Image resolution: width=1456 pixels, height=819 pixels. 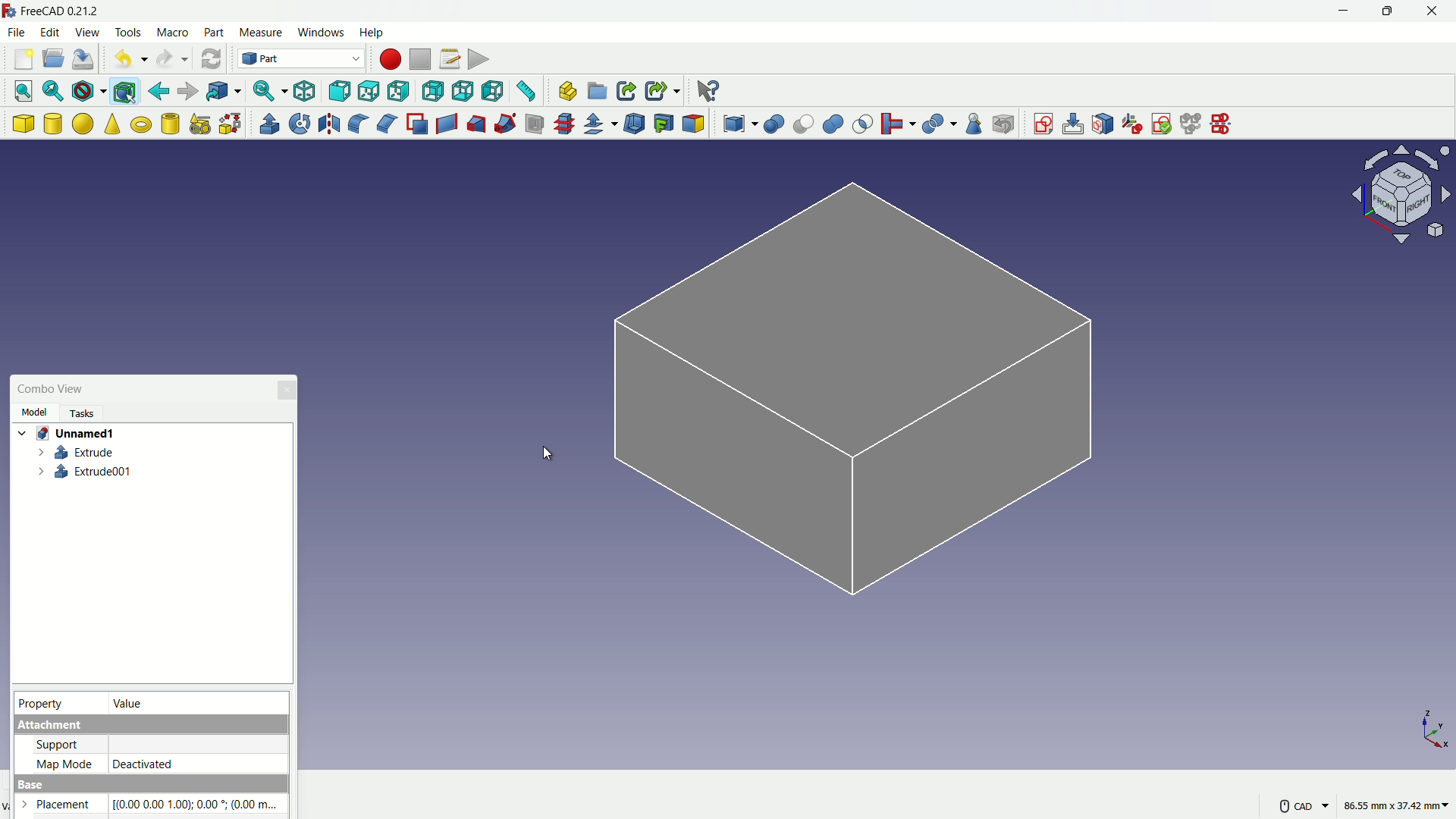 What do you see at coordinates (128, 33) in the screenshot?
I see `tools` at bounding box center [128, 33].